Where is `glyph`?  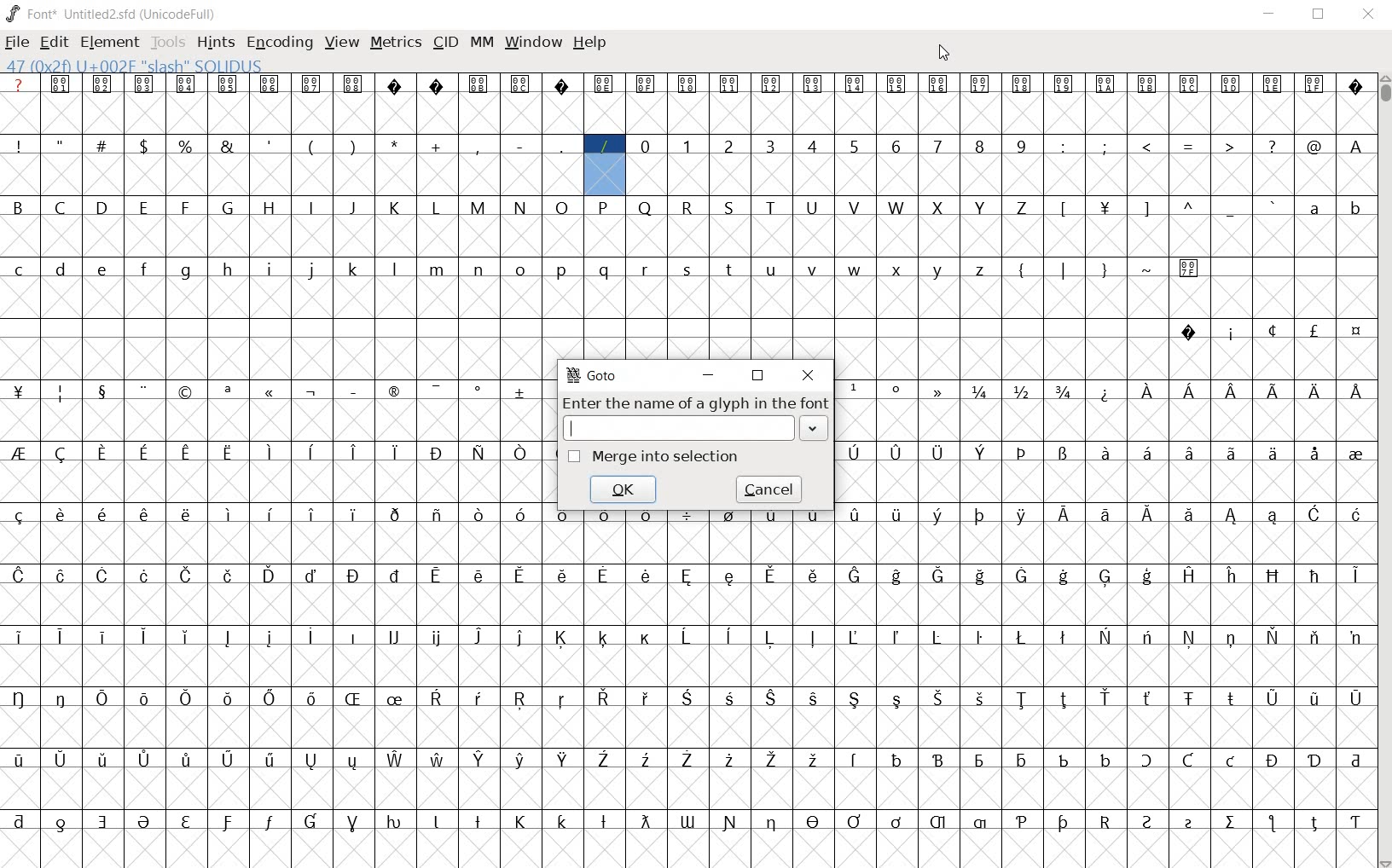 glyph is located at coordinates (104, 759).